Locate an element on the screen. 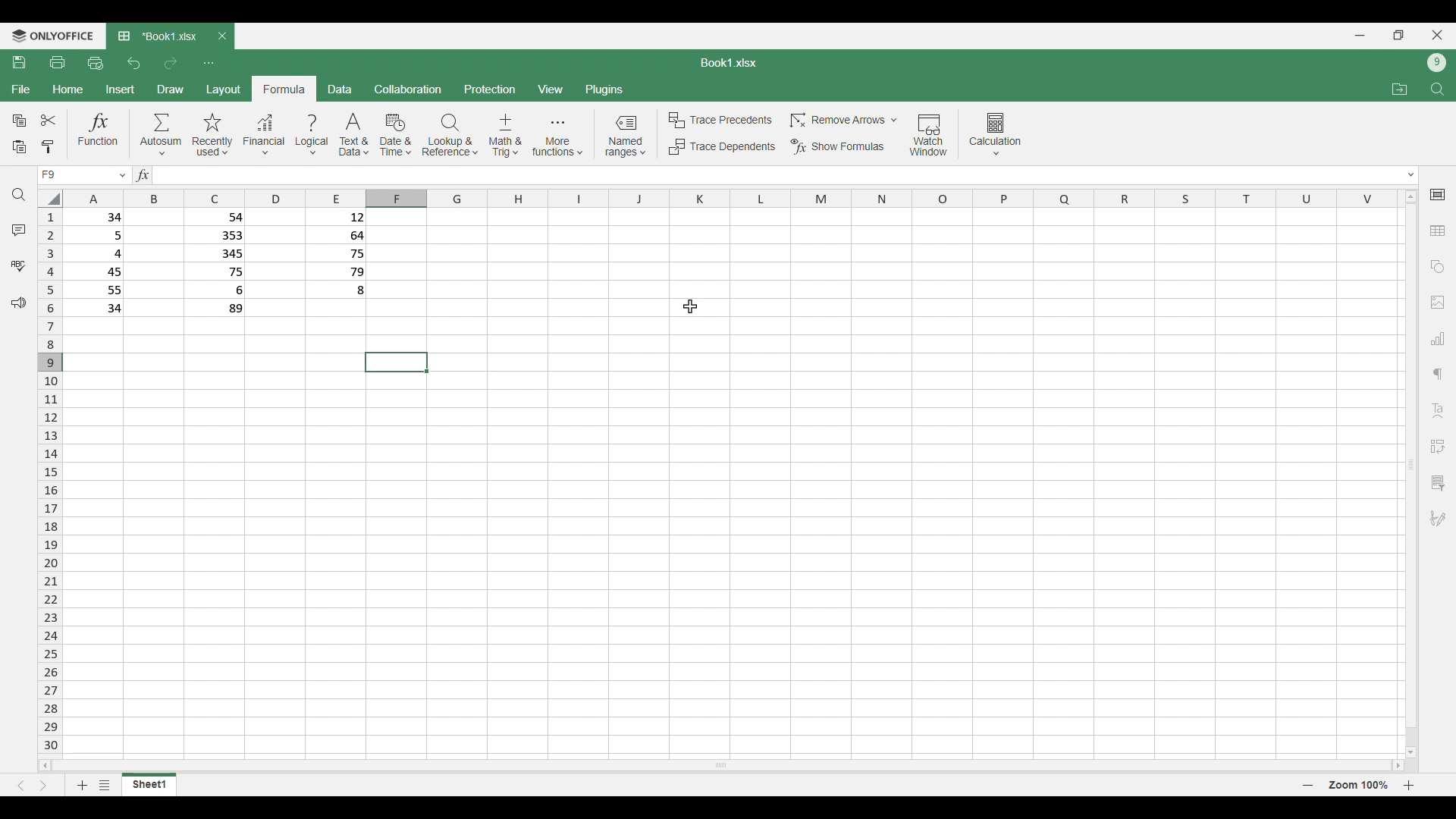 Image resolution: width=1456 pixels, height=819 pixels. Insert chart is located at coordinates (1438, 338).